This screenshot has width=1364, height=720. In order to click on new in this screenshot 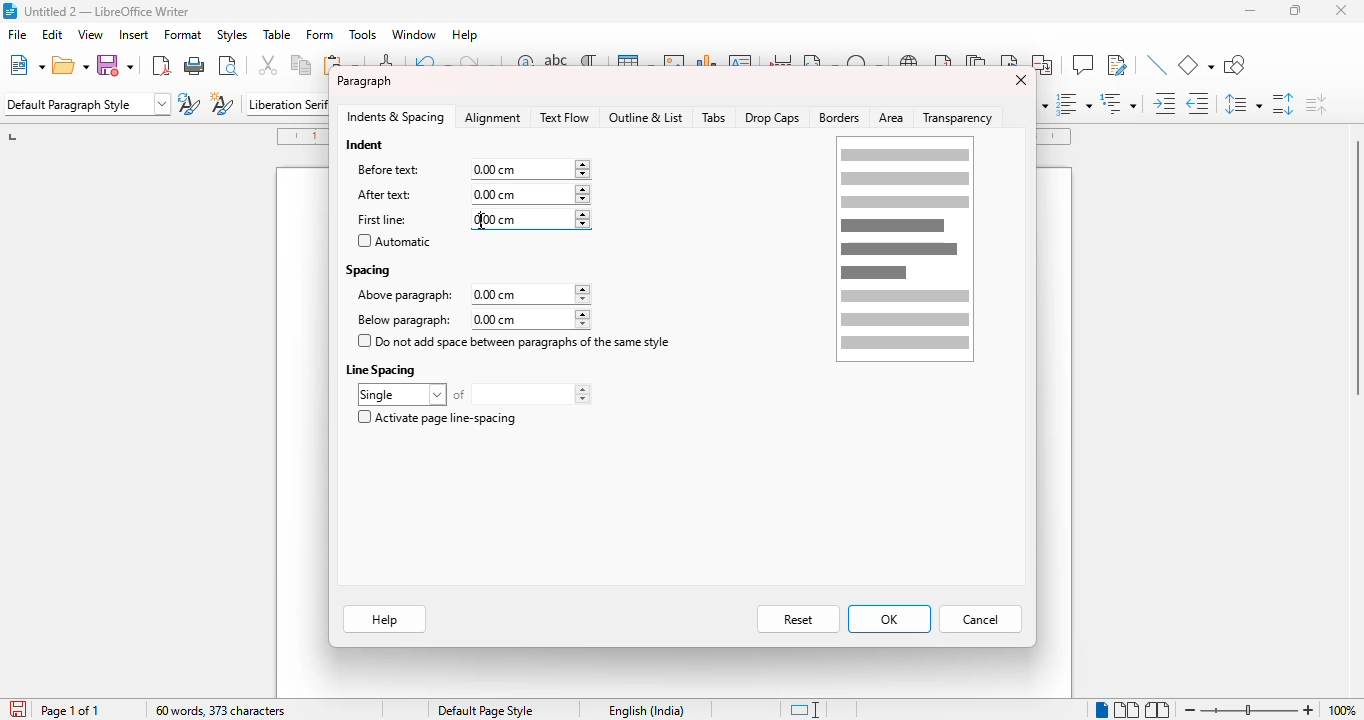, I will do `click(26, 64)`.